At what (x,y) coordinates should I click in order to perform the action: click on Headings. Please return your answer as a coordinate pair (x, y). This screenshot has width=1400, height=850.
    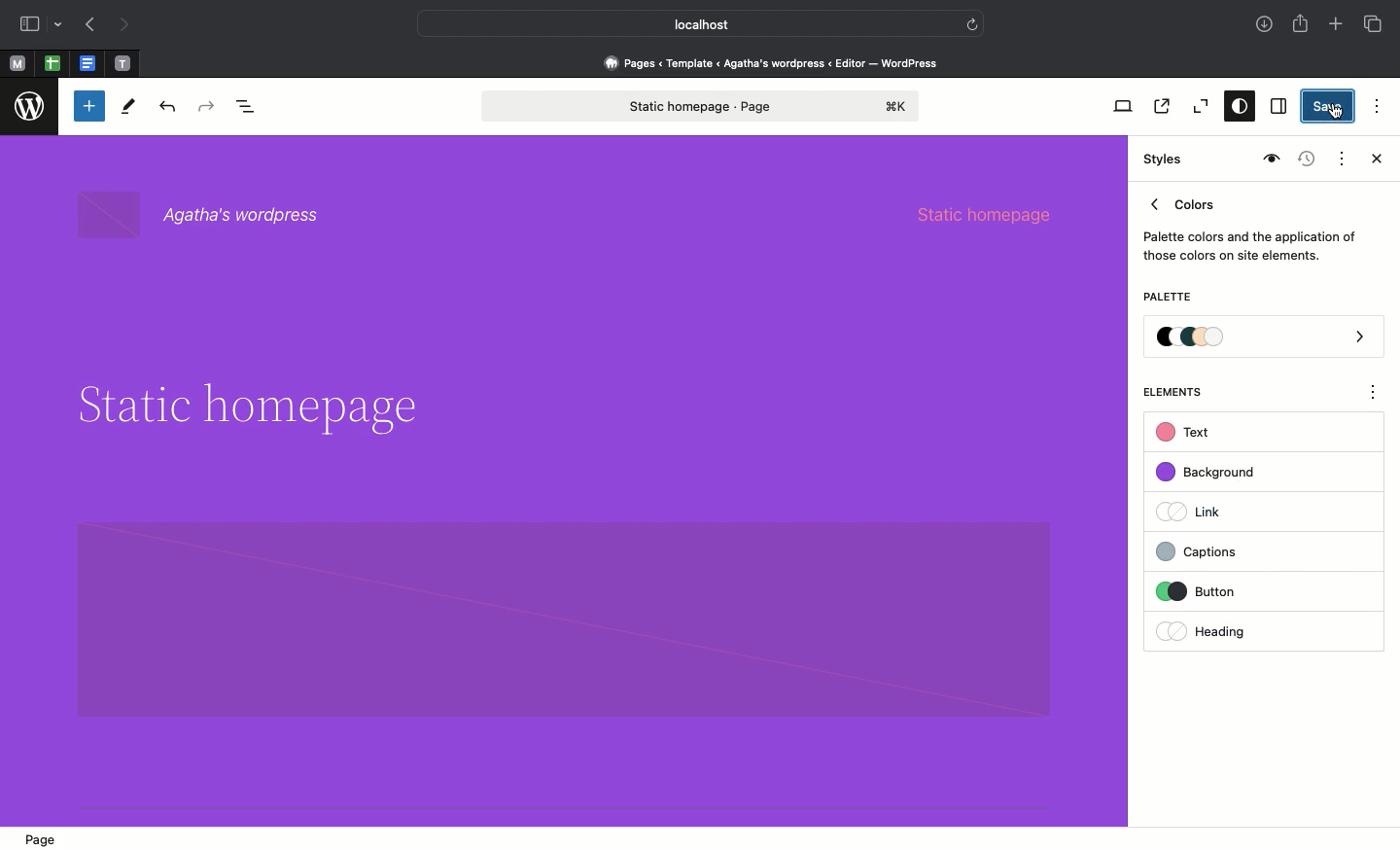
    Looking at the image, I should click on (1230, 629).